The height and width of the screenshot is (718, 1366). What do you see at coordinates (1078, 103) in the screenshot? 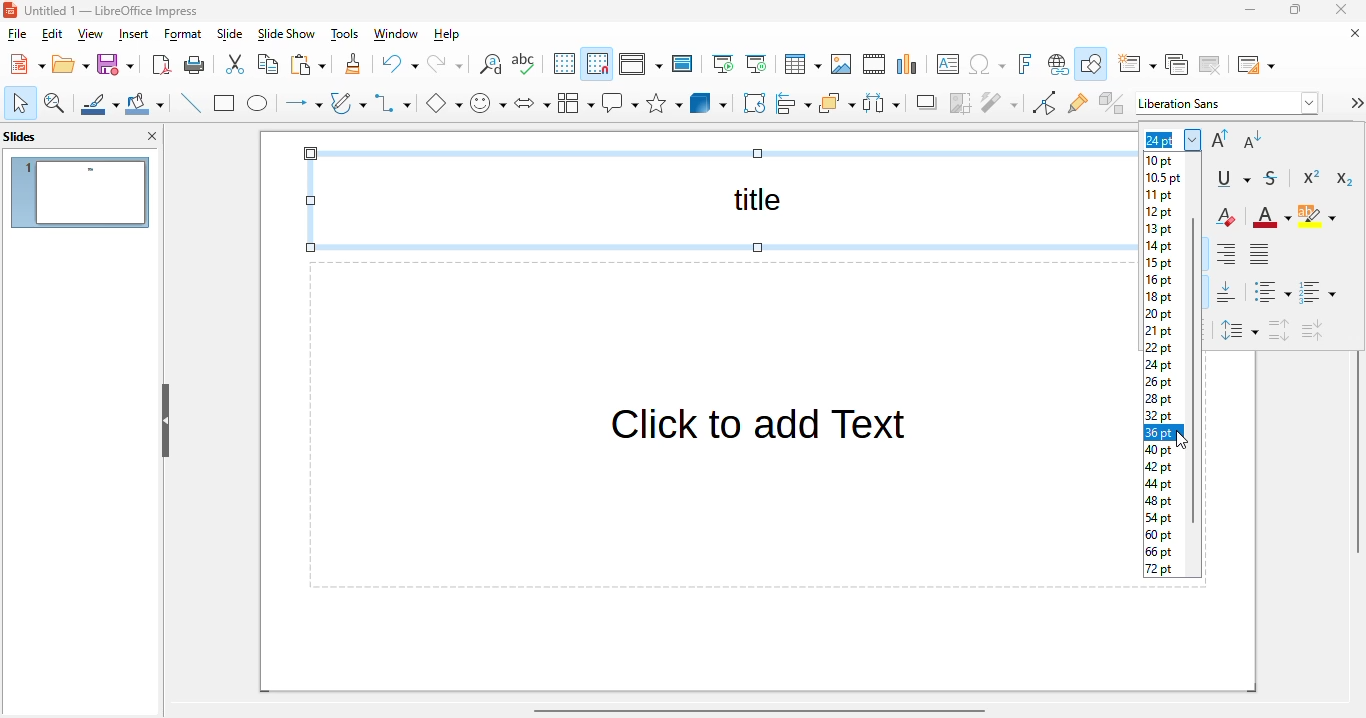
I see `show gluepoint functions` at bounding box center [1078, 103].